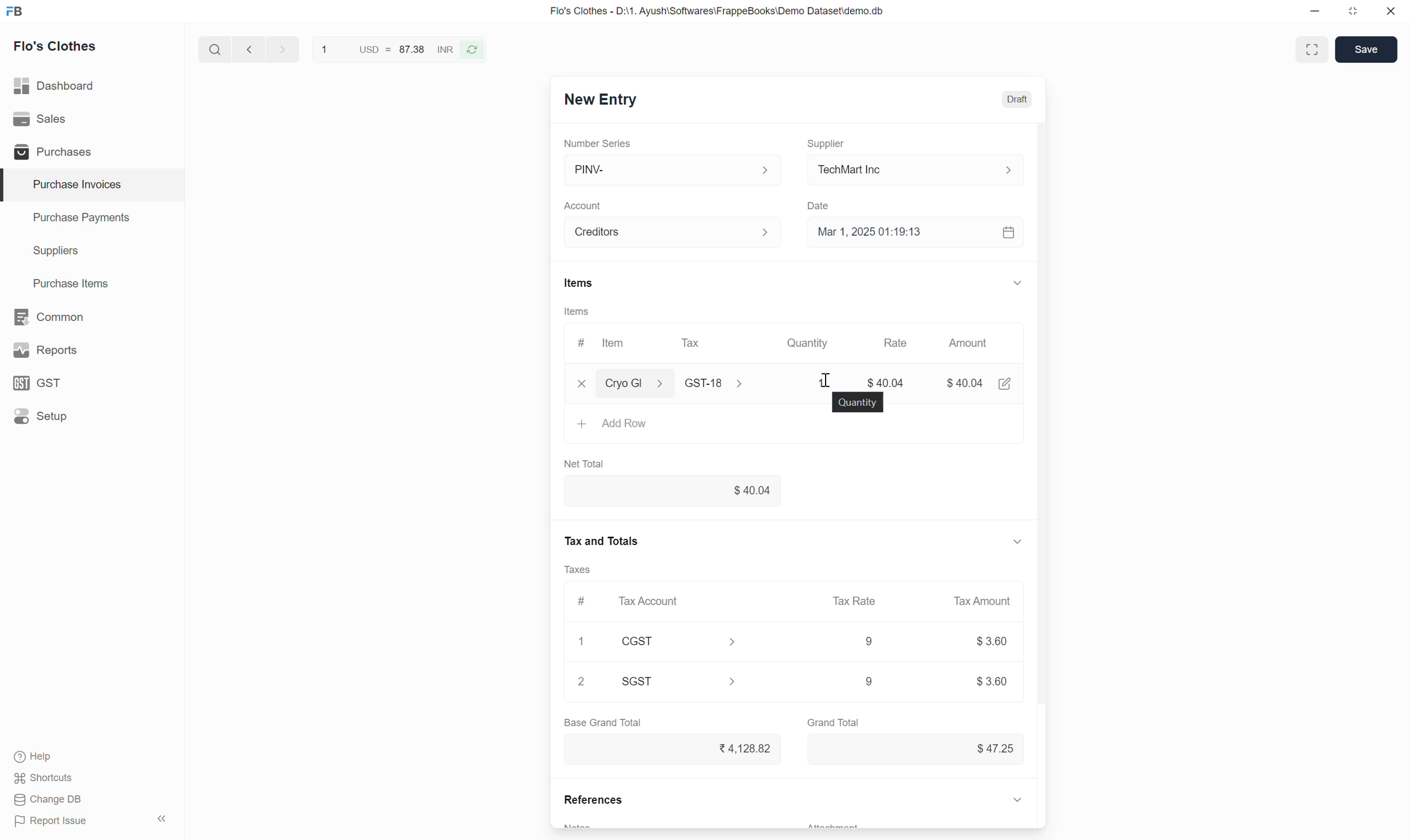  I want to click on Taxes, so click(582, 570).